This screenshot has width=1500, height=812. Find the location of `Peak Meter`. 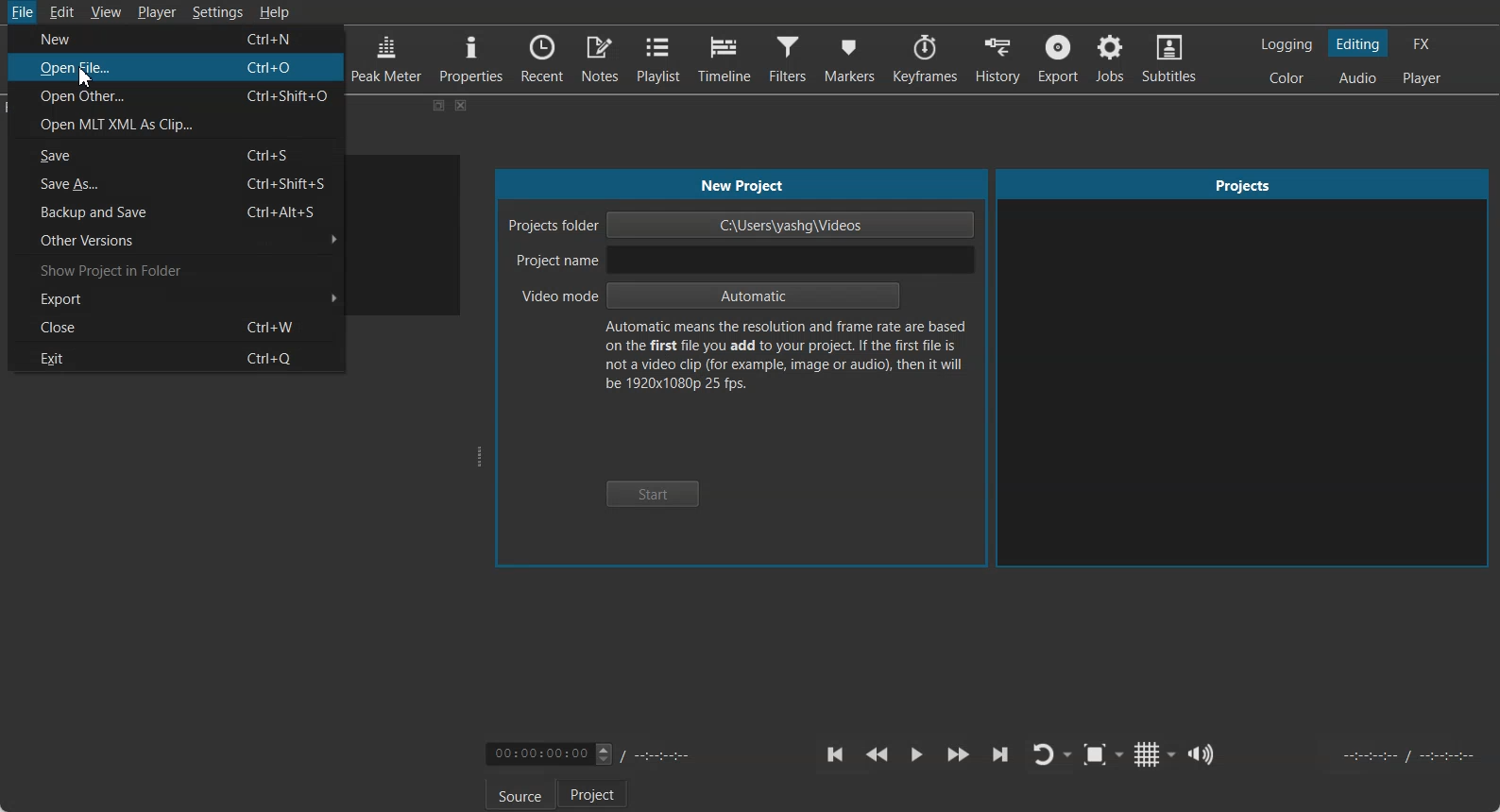

Peak Meter is located at coordinates (387, 58).